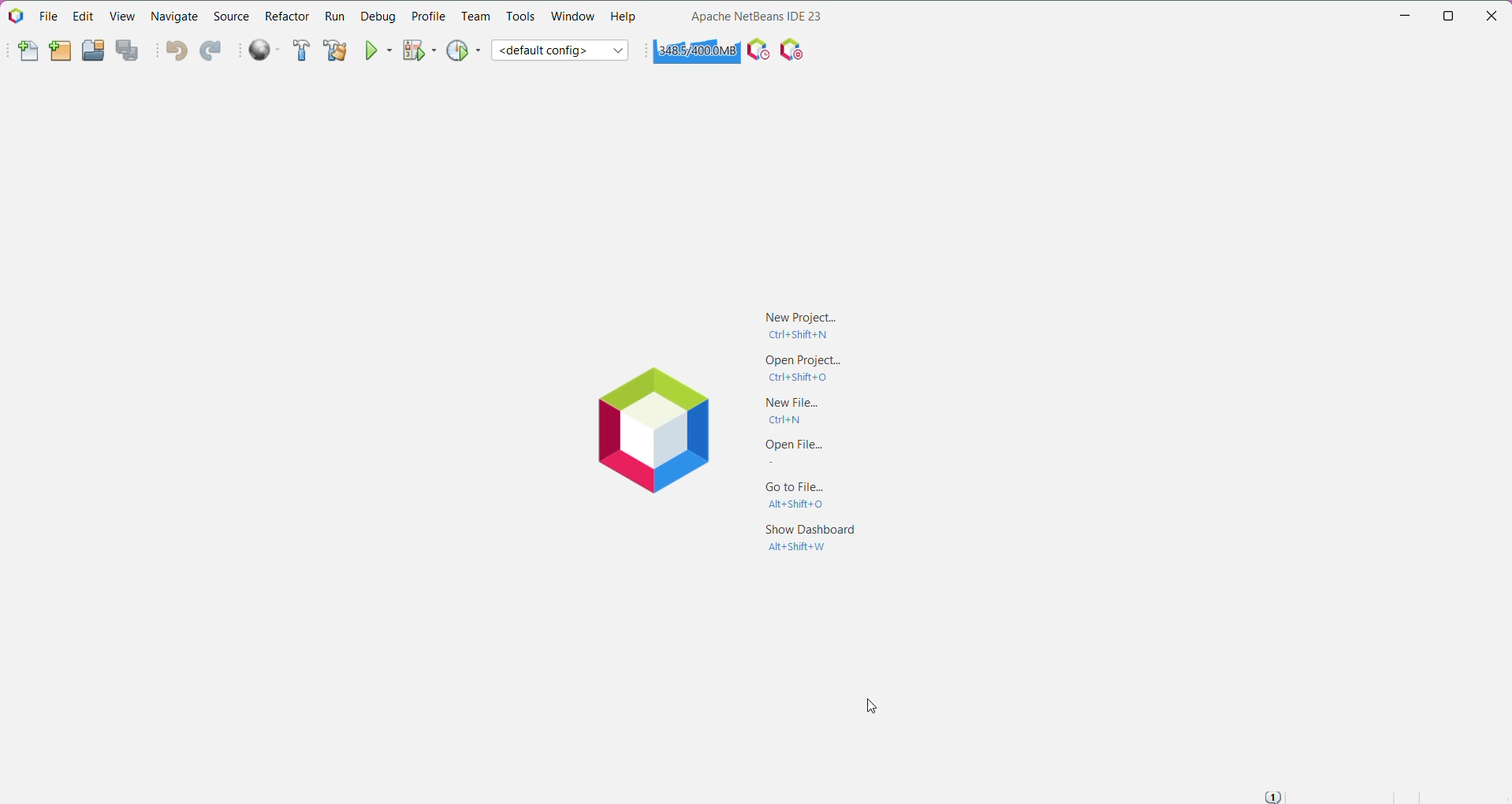  Describe the element at coordinates (520, 17) in the screenshot. I see `Tools` at that location.